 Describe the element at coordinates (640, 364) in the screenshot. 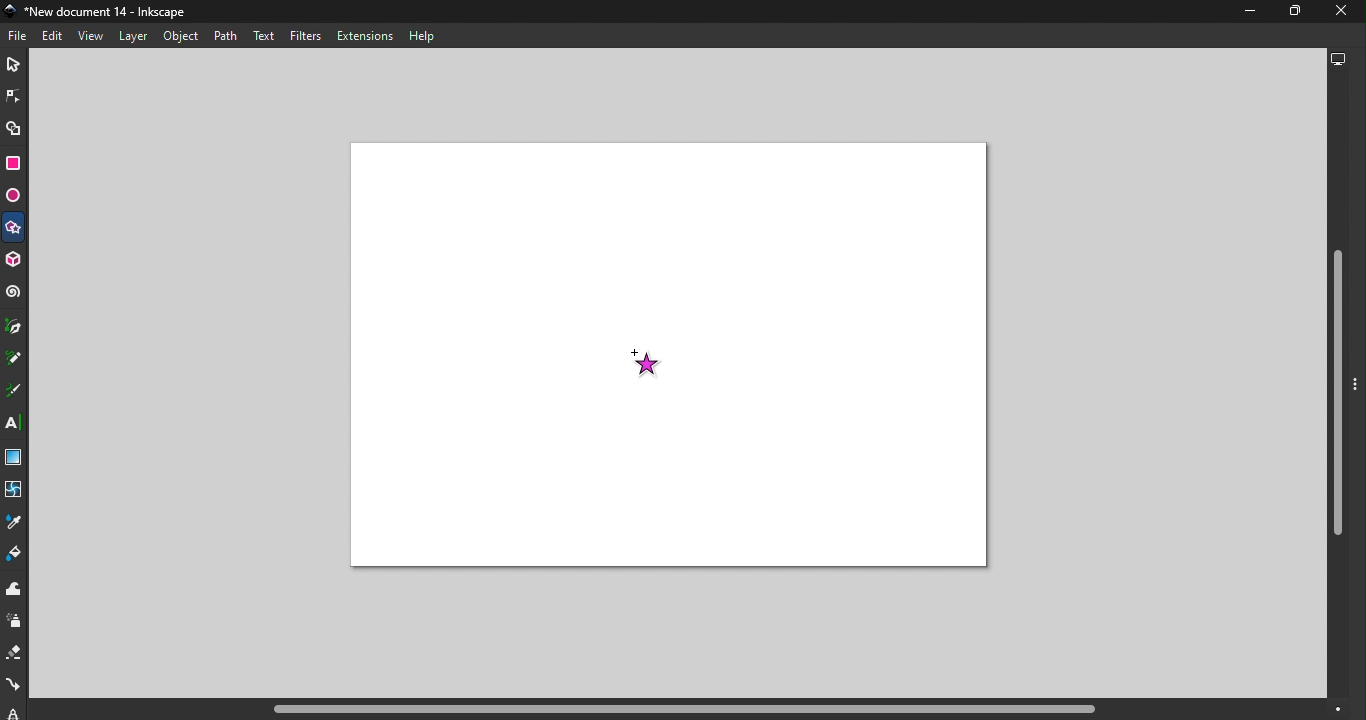

I see `Cursor` at that location.